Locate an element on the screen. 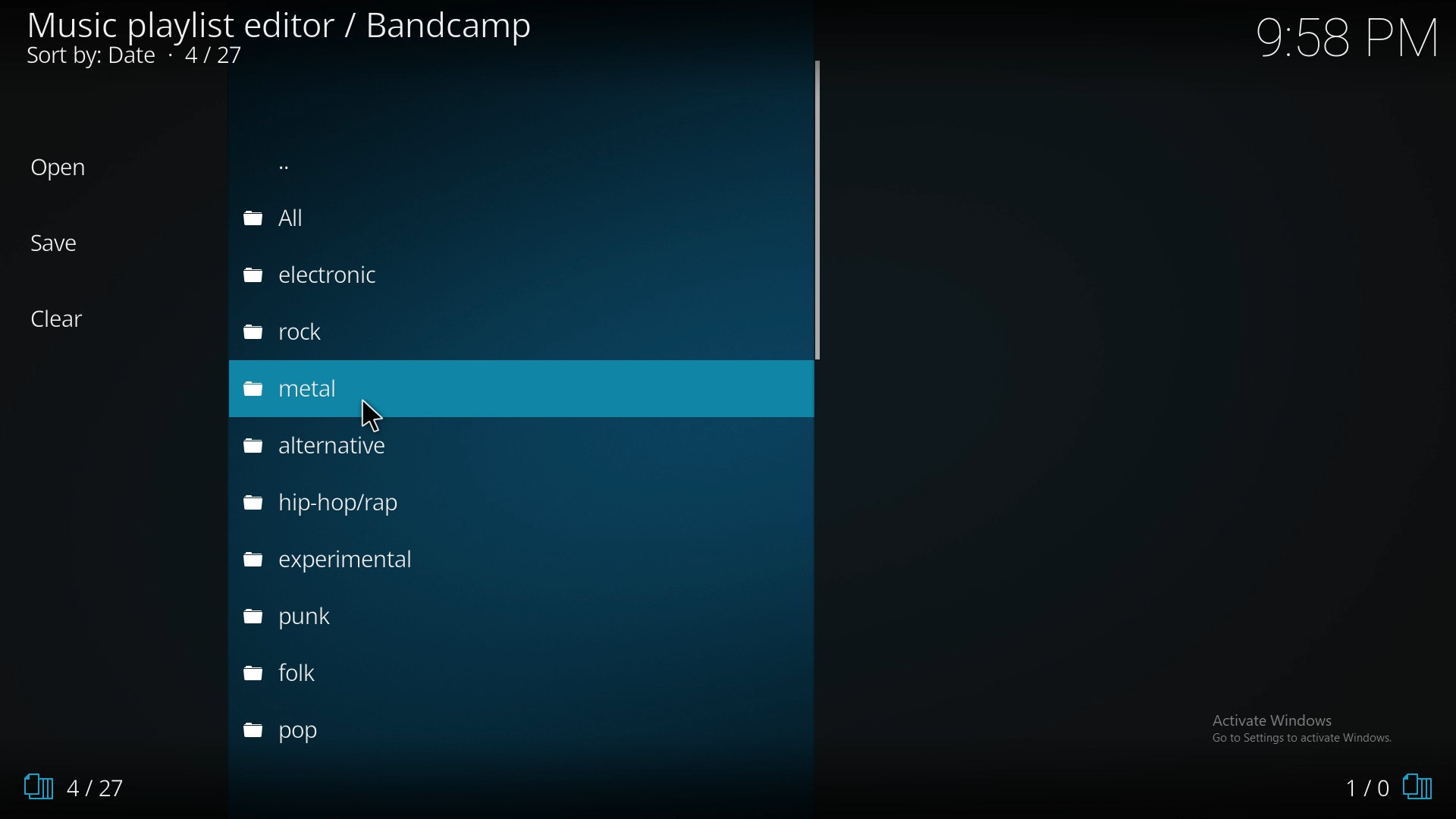 This screenshot has height=819, width=1456. Sort by: Date • 4/27 is located at coordinates (144, 60).